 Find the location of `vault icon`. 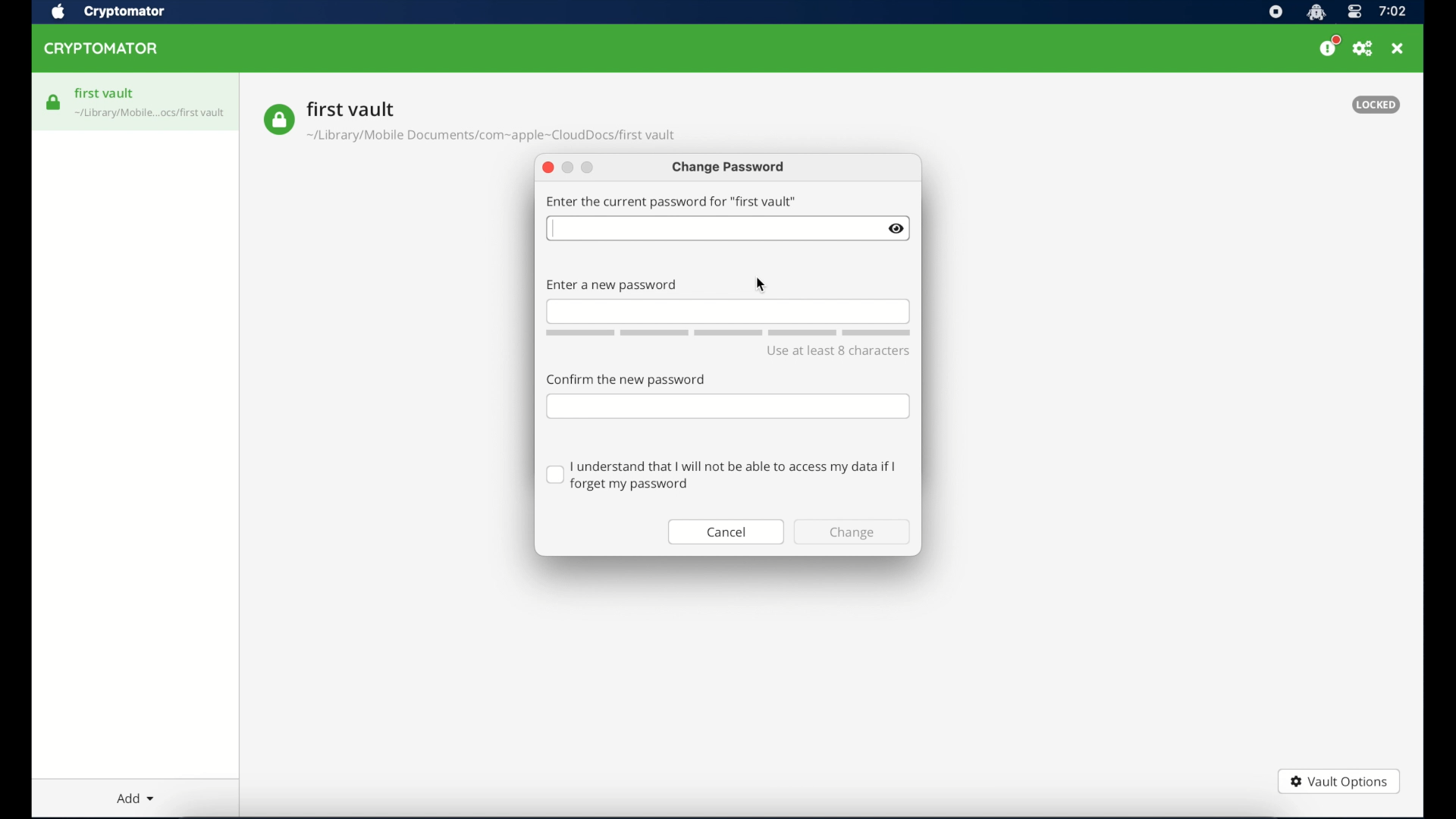

vault icon is located at coordinates (151, 115).